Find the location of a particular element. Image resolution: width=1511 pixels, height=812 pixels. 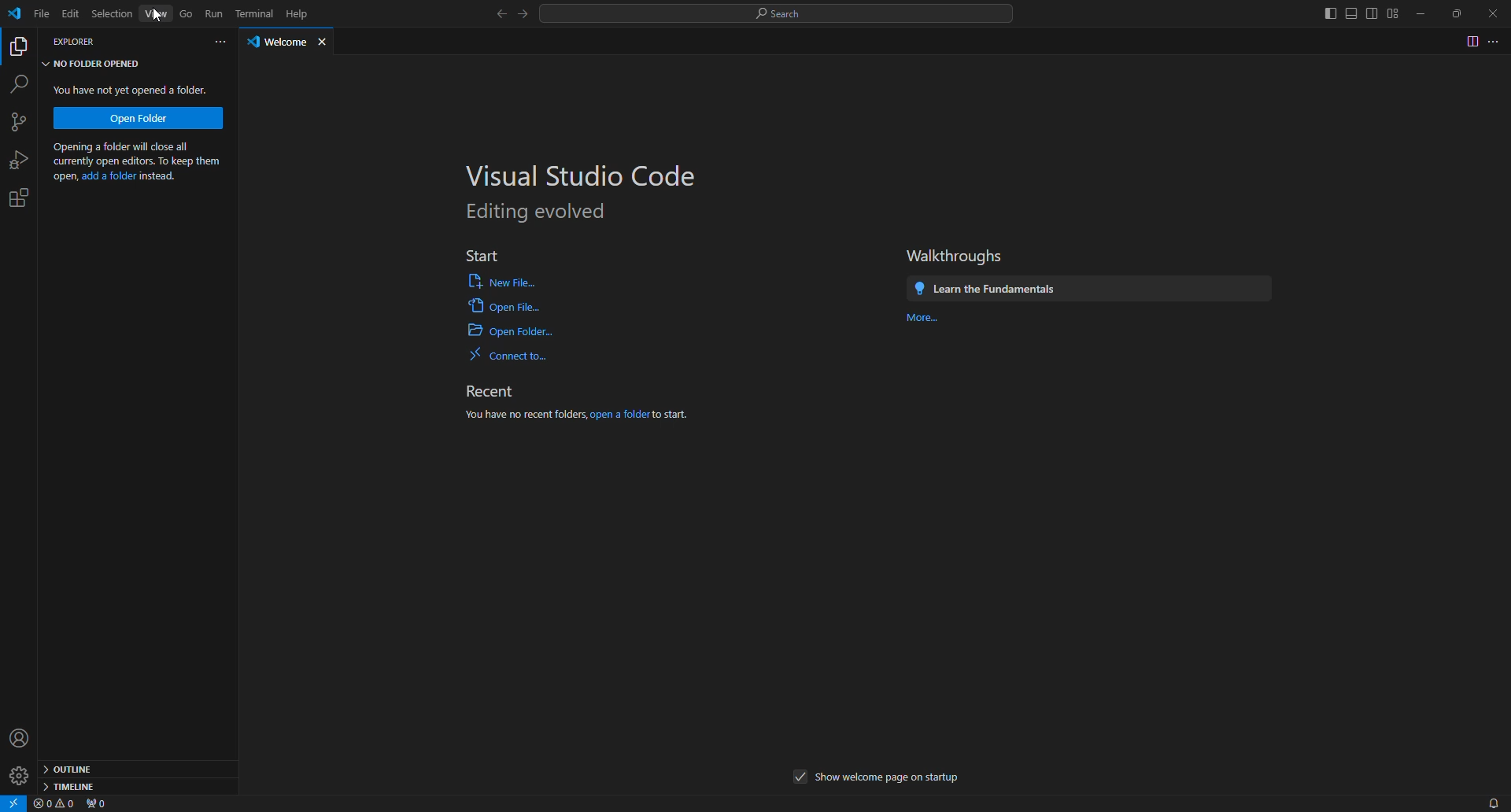

View is located at coordinates (153, 14).